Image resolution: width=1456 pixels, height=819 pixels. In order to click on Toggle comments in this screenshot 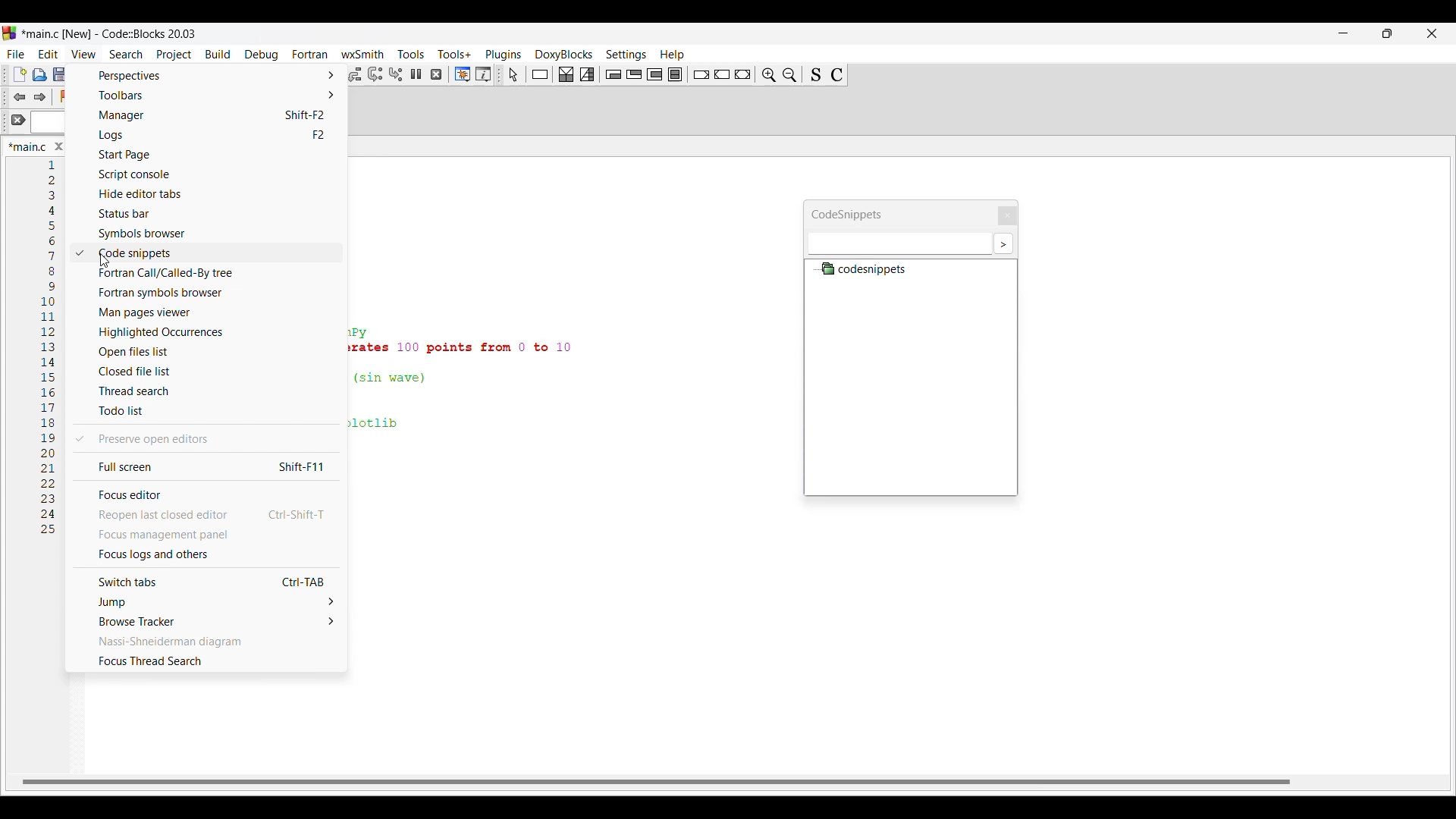, I will do `click(837, 74)`.